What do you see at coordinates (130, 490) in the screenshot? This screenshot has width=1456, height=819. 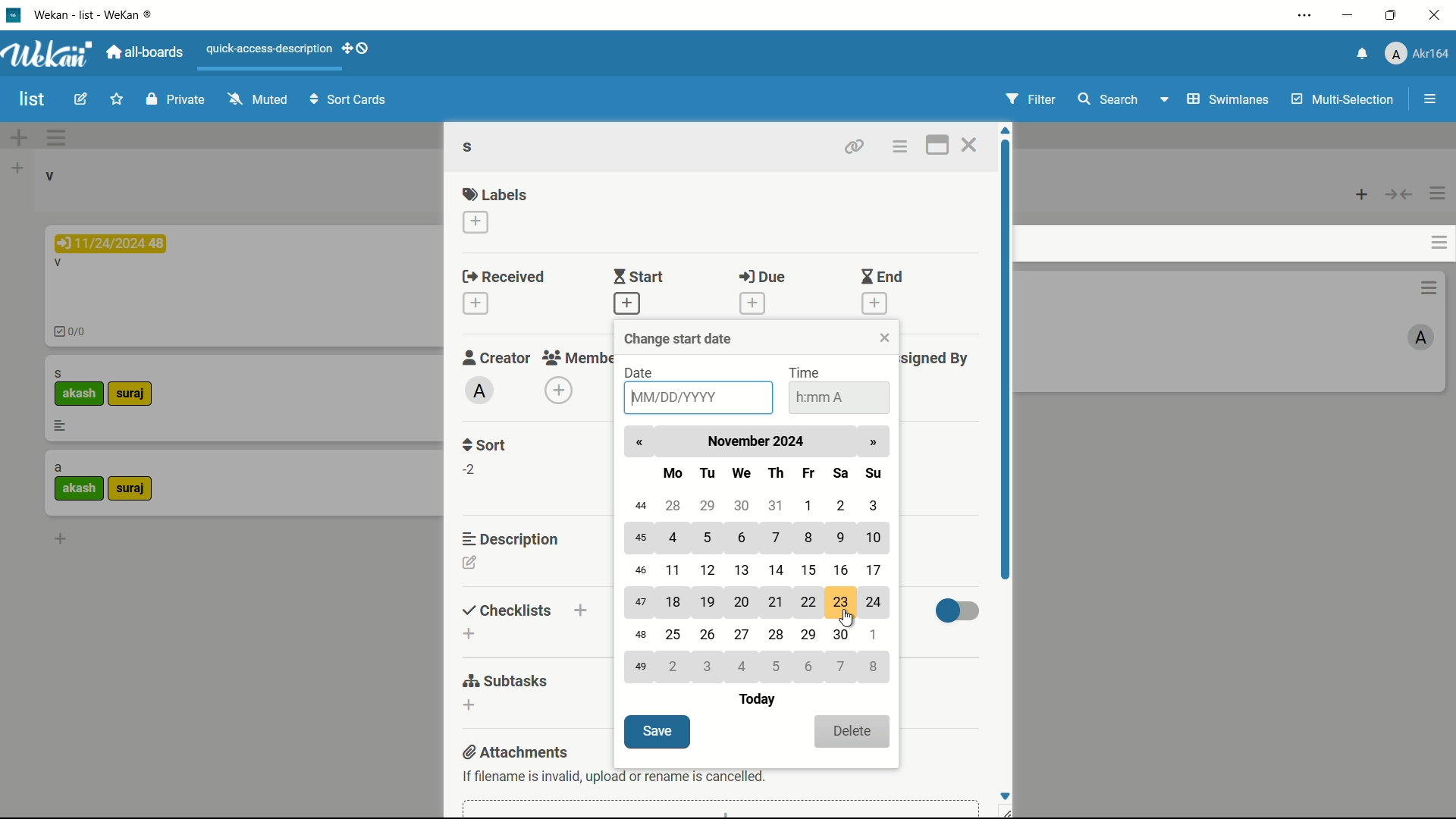 I see `label-2` at bounding box center [130, 490].